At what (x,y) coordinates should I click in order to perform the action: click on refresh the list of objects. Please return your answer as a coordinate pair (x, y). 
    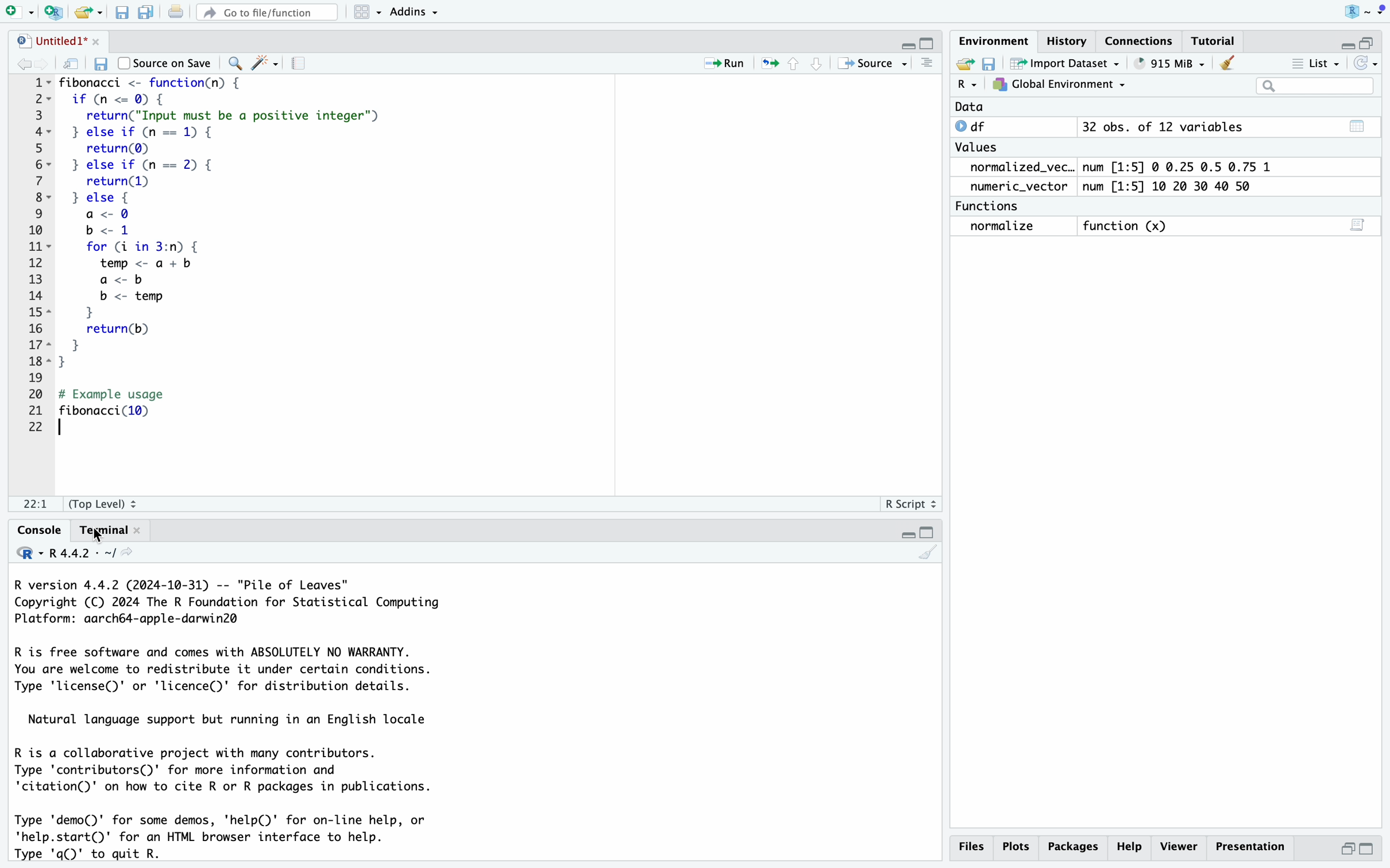
    Looking at the image, I should click on (1370, 64).